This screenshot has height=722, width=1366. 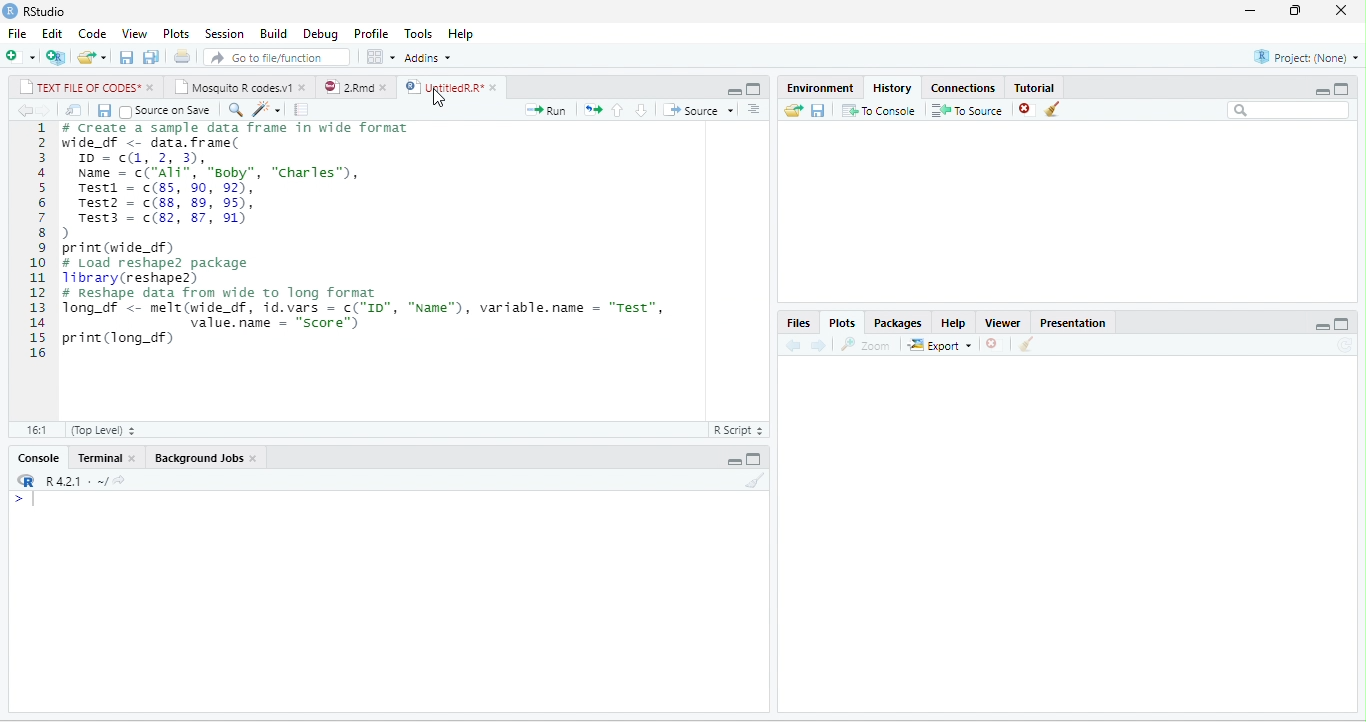 What do you see at coordinates (105, 110) in the screenshot?
I see `save` at bounding box center [105, 110].